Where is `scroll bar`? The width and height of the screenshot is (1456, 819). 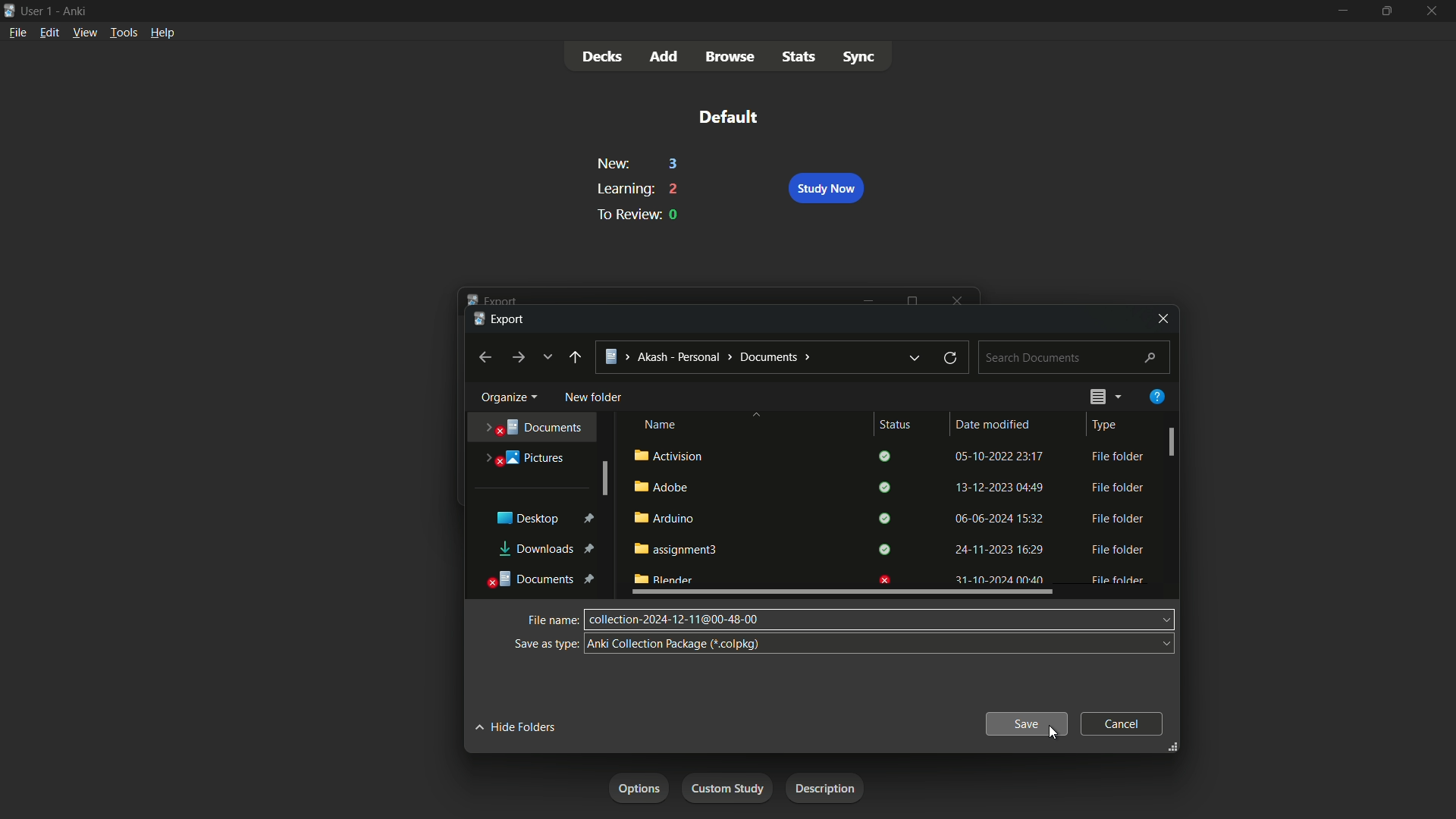 scroll bar is located at coordinates (604, 479).